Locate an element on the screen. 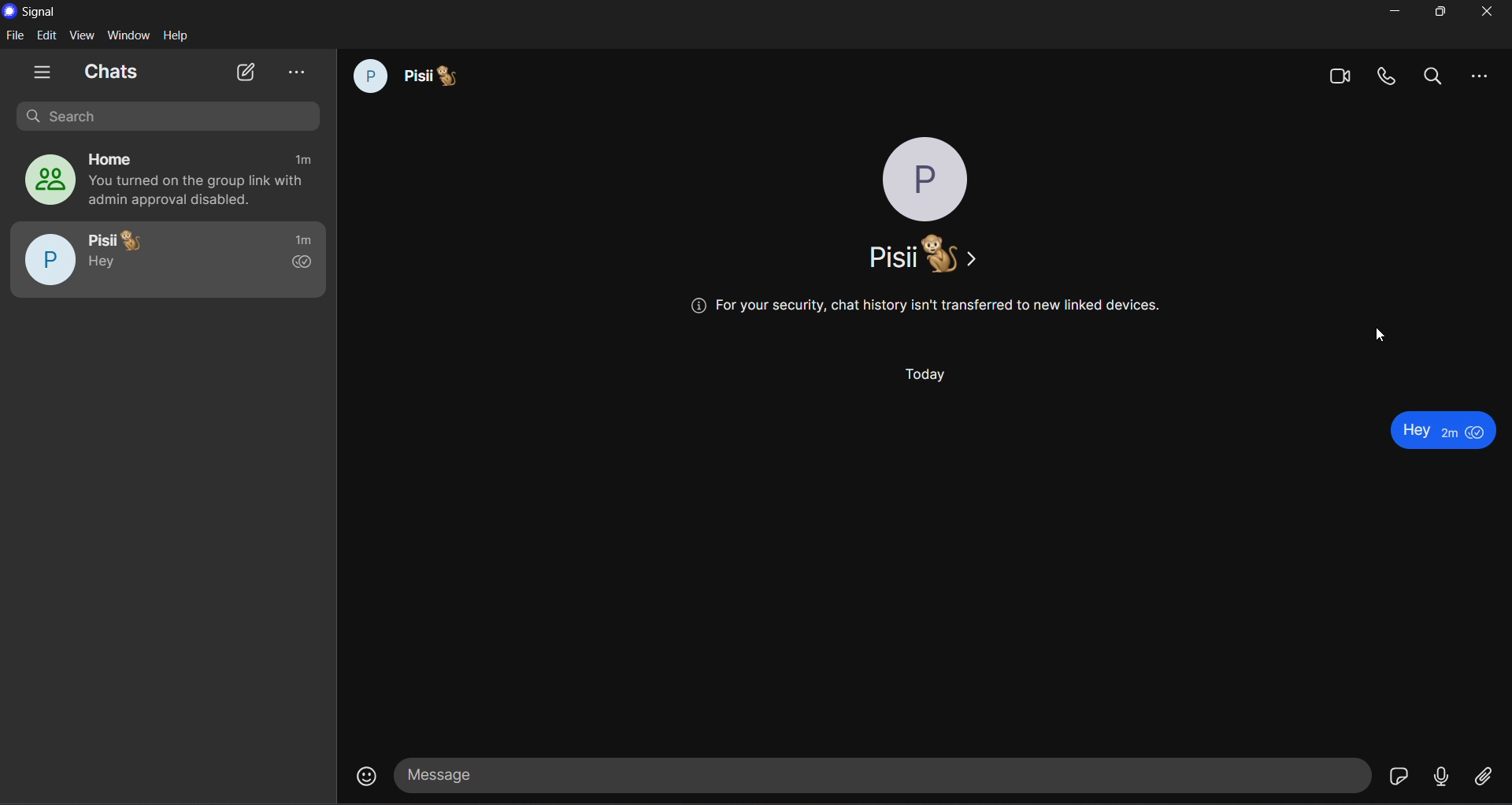 The height and width of the screenshot is (805, 1512). voice message is located at coordinates (1444, 773).